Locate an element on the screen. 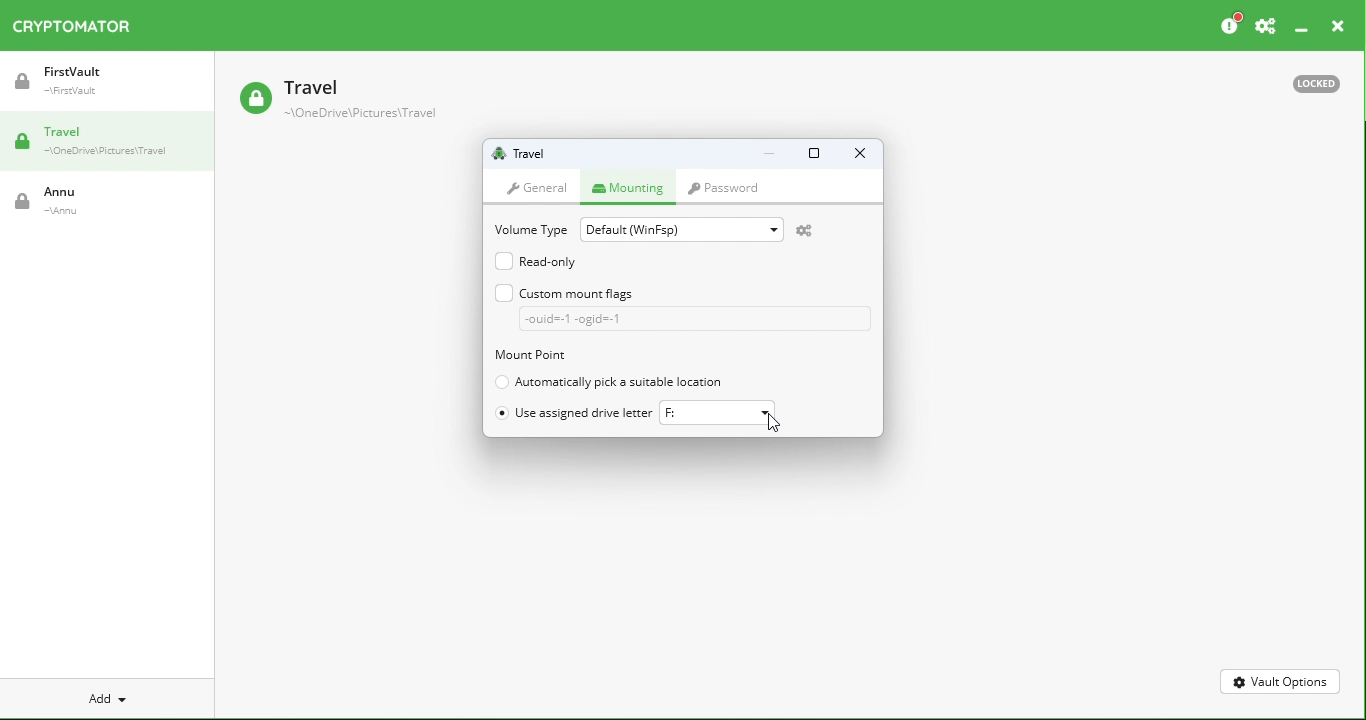 The width and height of the screenshot is (1366, 720). Open virtual drive preferences to change default settings is located at coordinates (813, 231).